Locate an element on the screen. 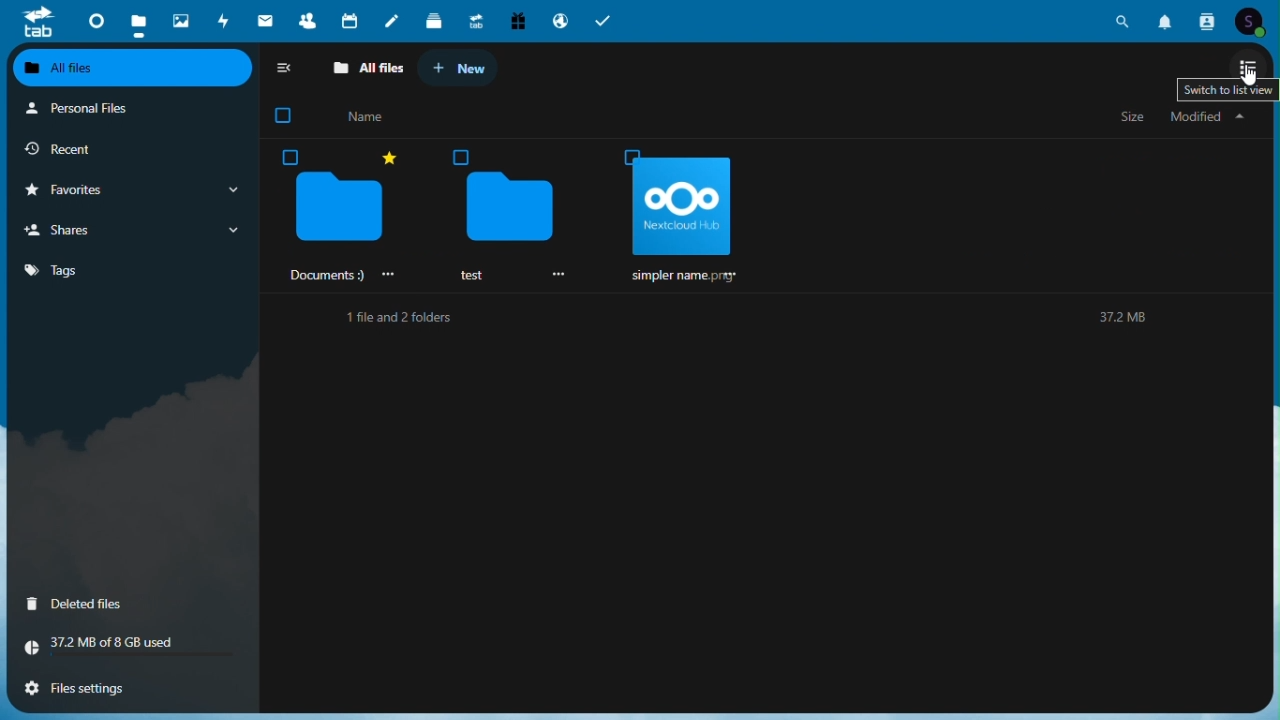 The image size is (1280, 720). contacts is located at coordinates (305, 19).